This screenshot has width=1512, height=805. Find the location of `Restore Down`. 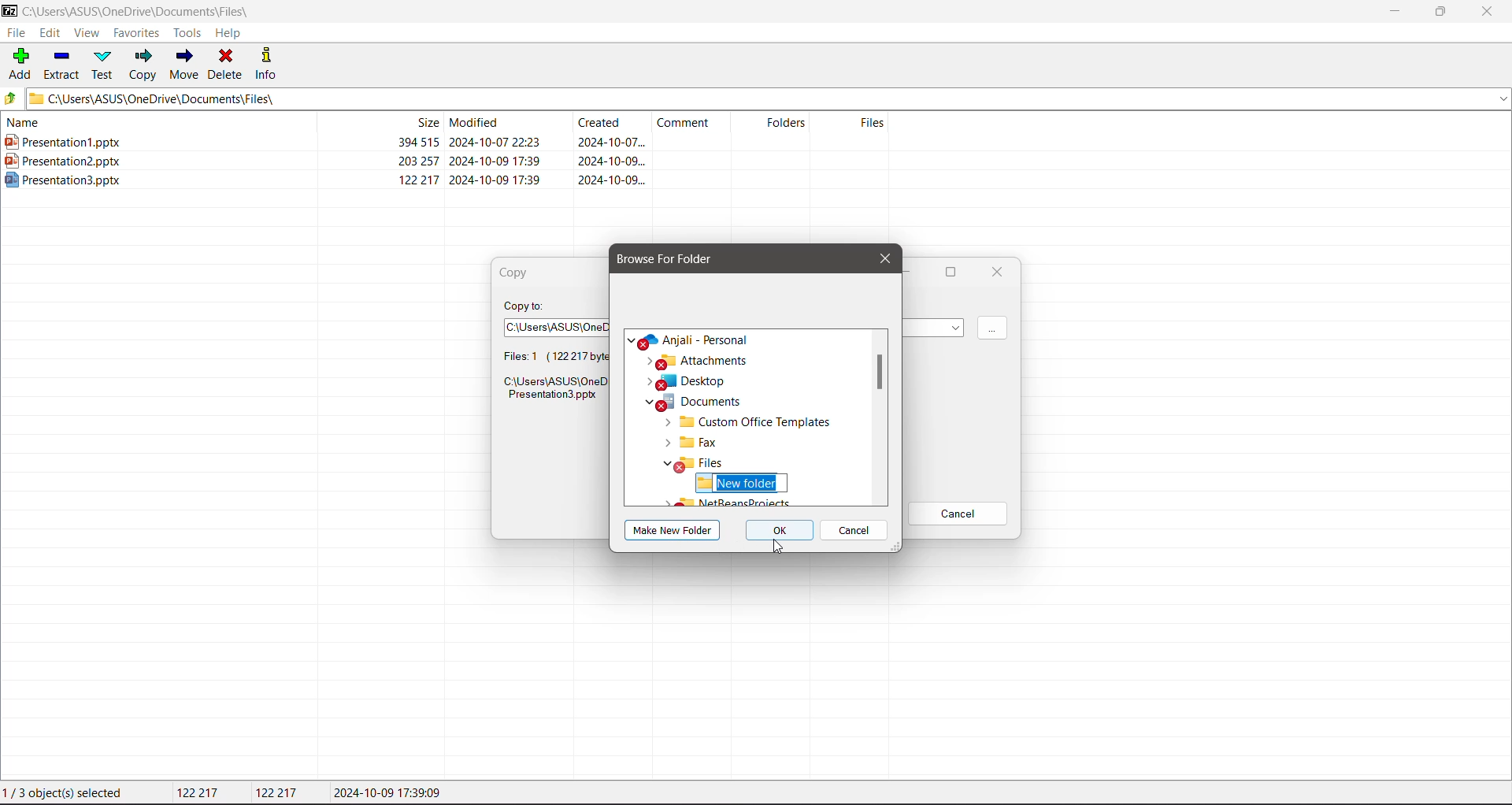

Restore Down is located at coordinates (1441, 10).